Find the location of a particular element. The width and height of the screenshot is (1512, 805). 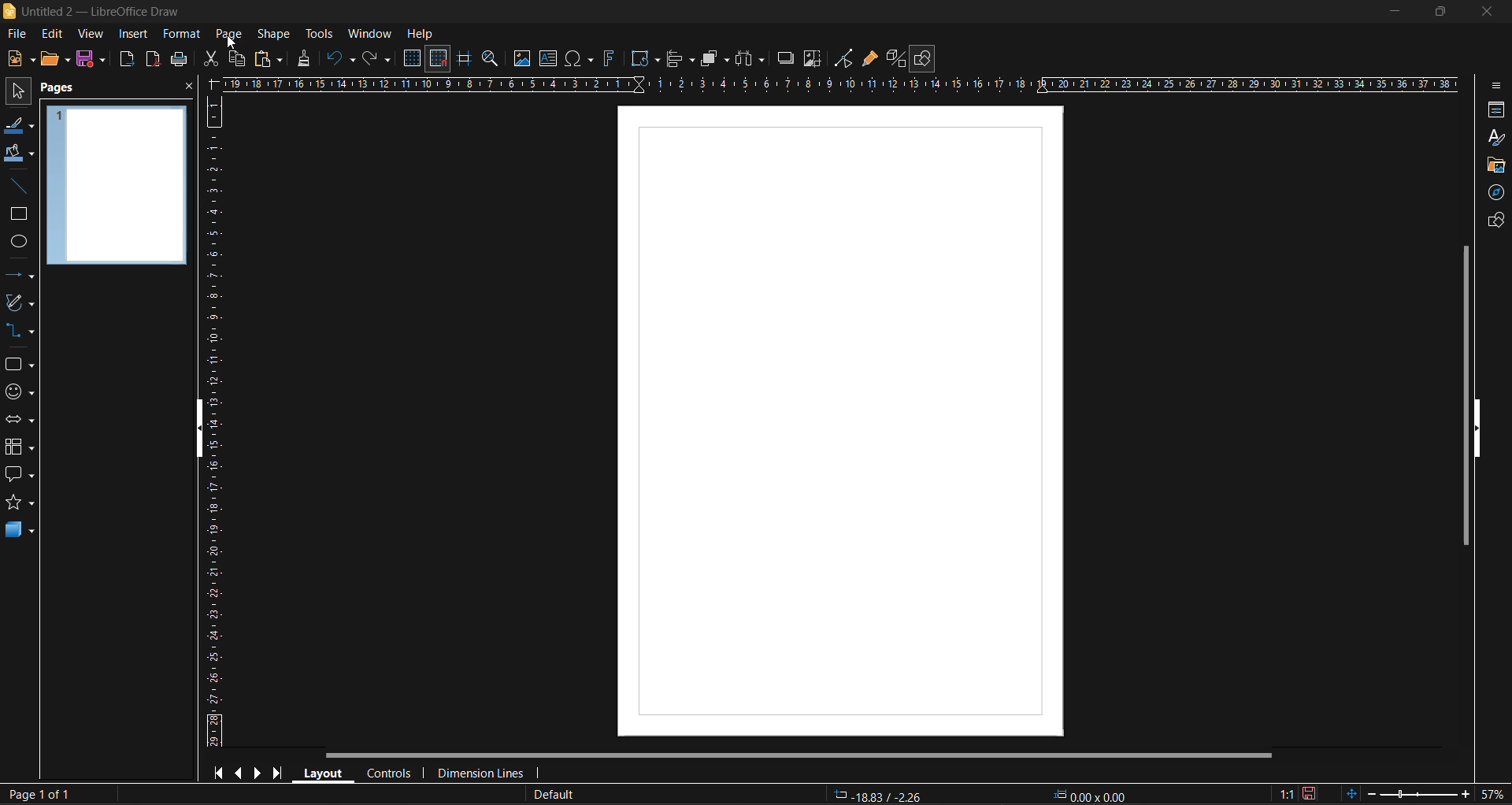

export is located at coordinates (128, 59).